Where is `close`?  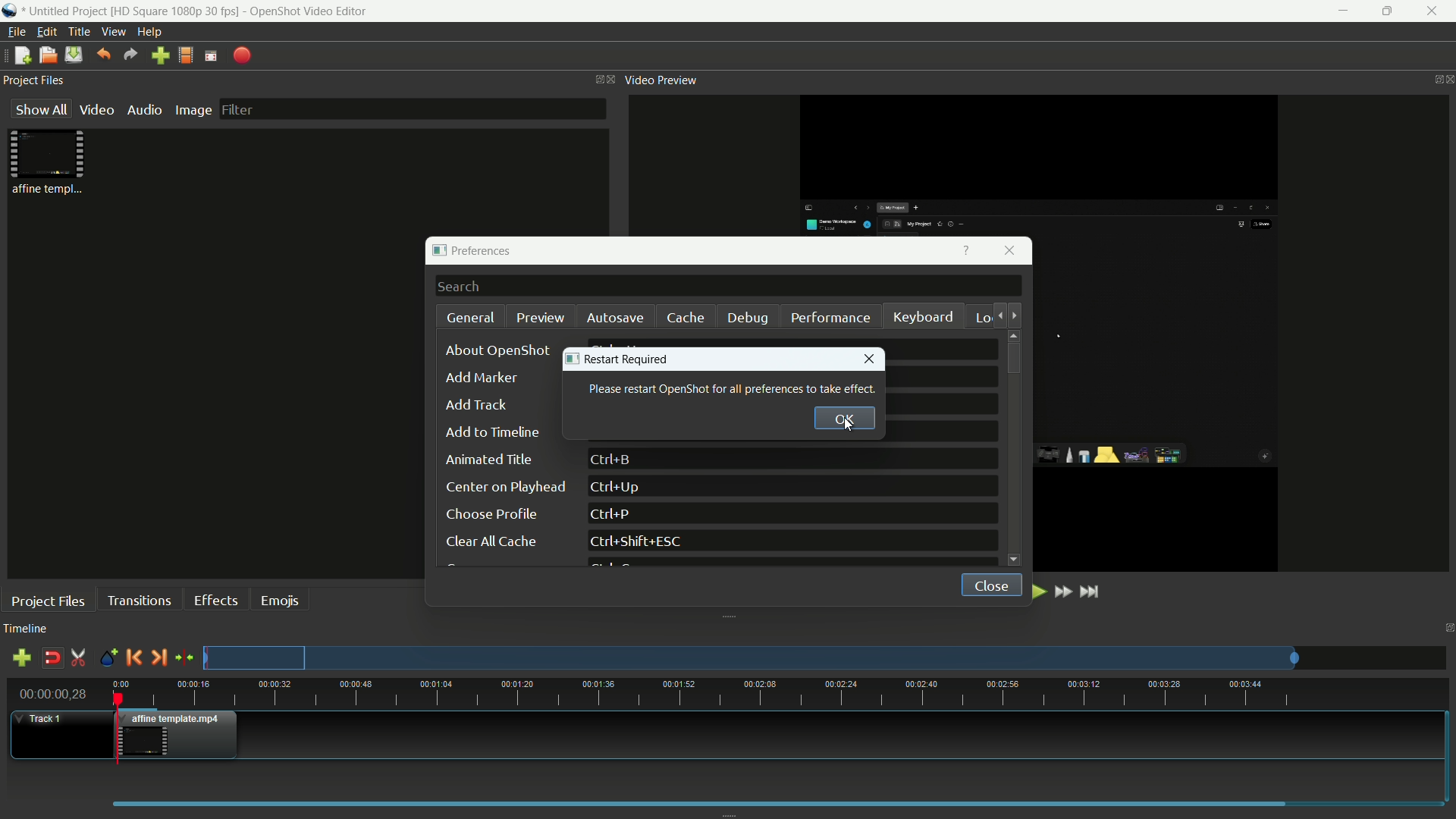
close is located at coordinates (987, 583).